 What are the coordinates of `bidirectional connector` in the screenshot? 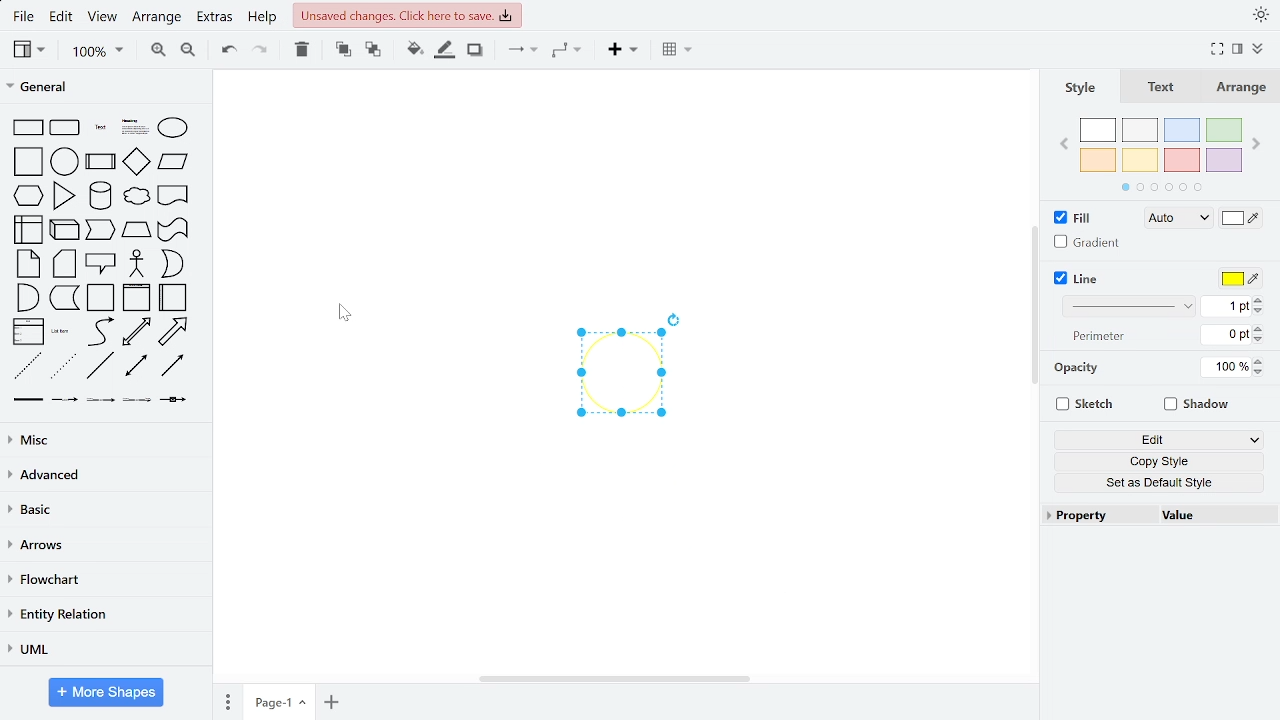 It's located at (135, 367).